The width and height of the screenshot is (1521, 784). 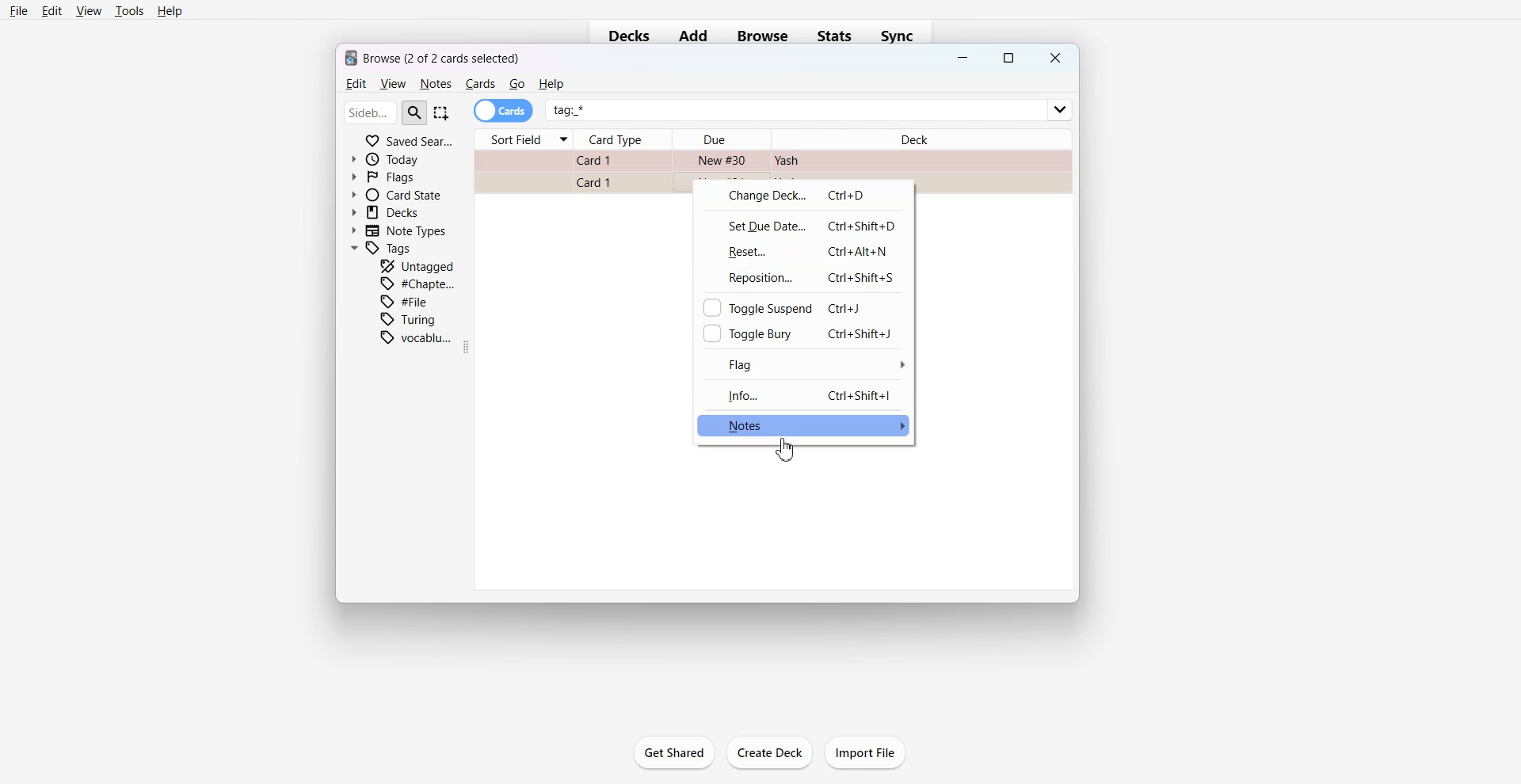 I want to click on Due, so click(x=722, y=139).